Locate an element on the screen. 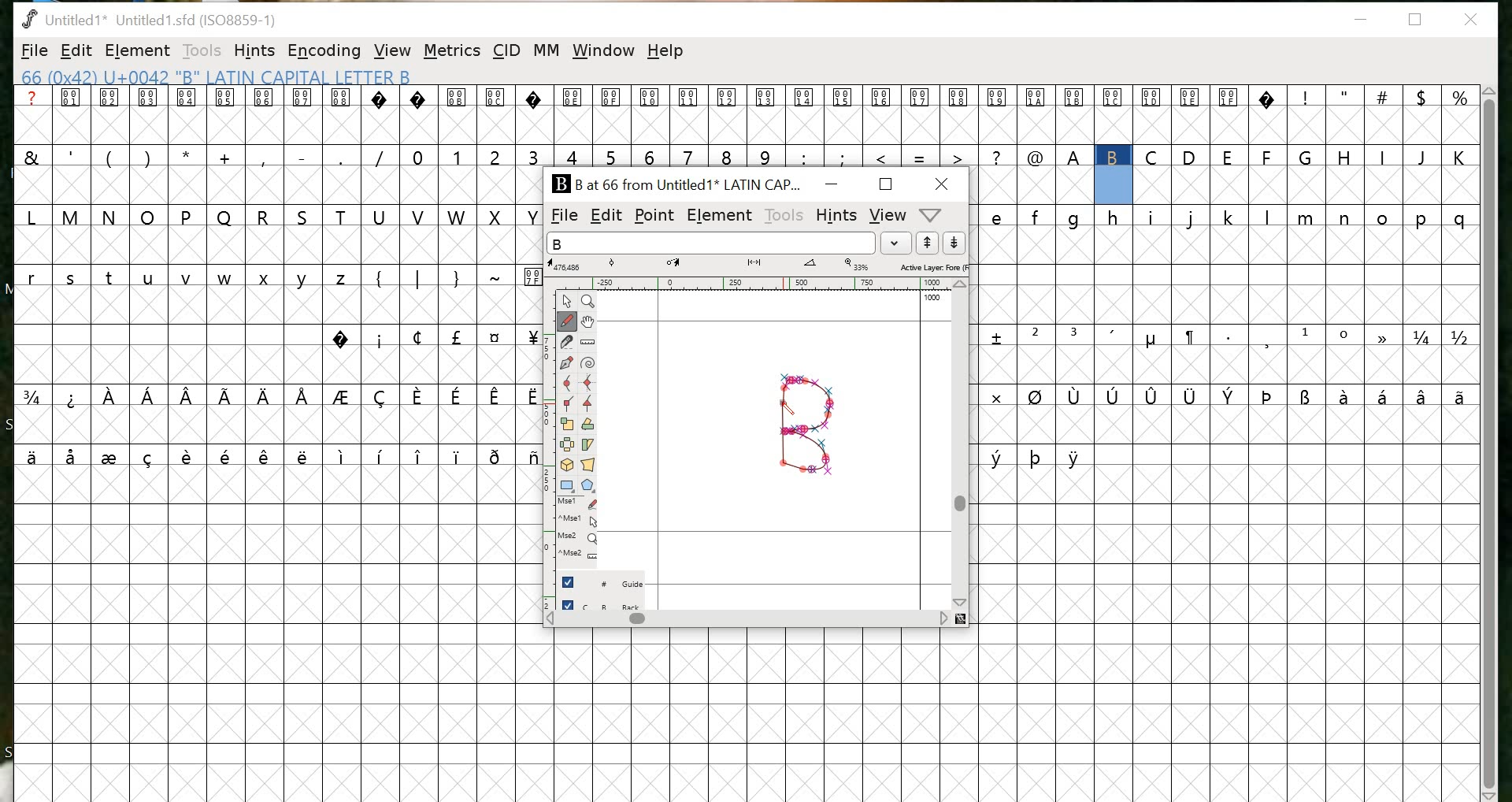 The height and width of the screenshot is (802, 1512). Polygon/star is located at coordinates (589, 485).